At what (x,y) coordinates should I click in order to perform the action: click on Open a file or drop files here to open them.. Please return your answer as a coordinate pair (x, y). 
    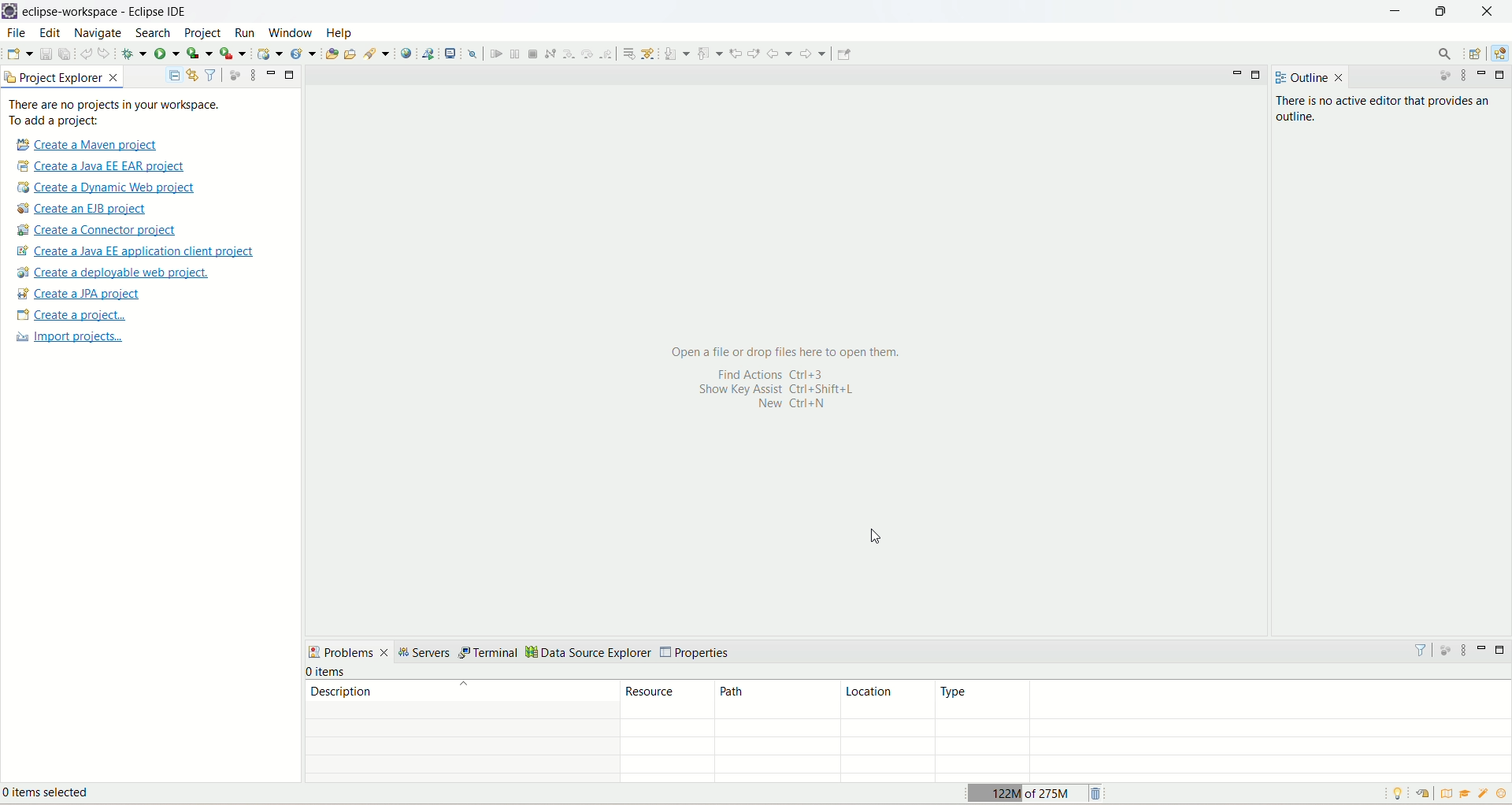
    Looking at the image, I should click on (789, 351).